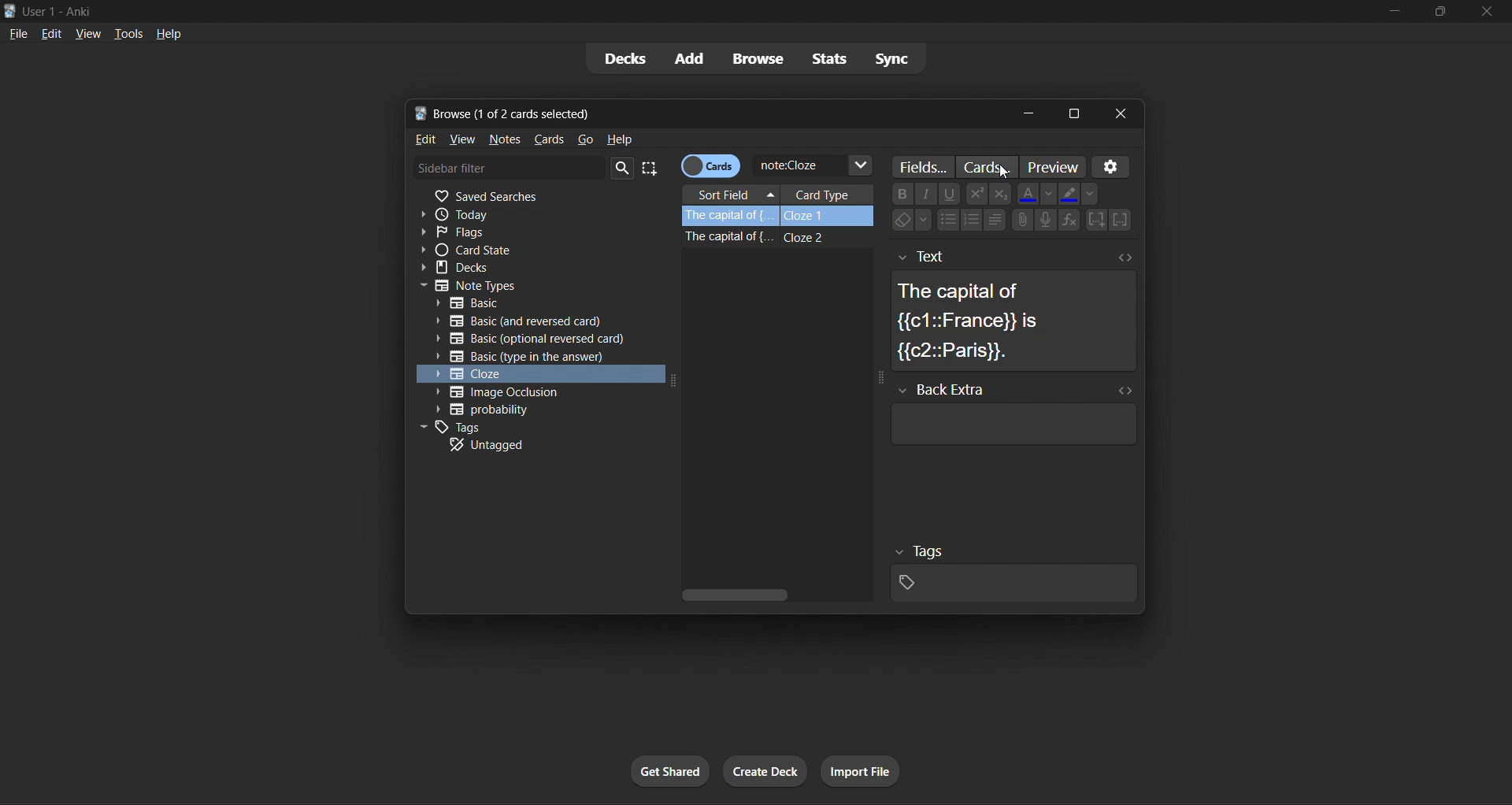  I want to click on file, so click(18, 33).